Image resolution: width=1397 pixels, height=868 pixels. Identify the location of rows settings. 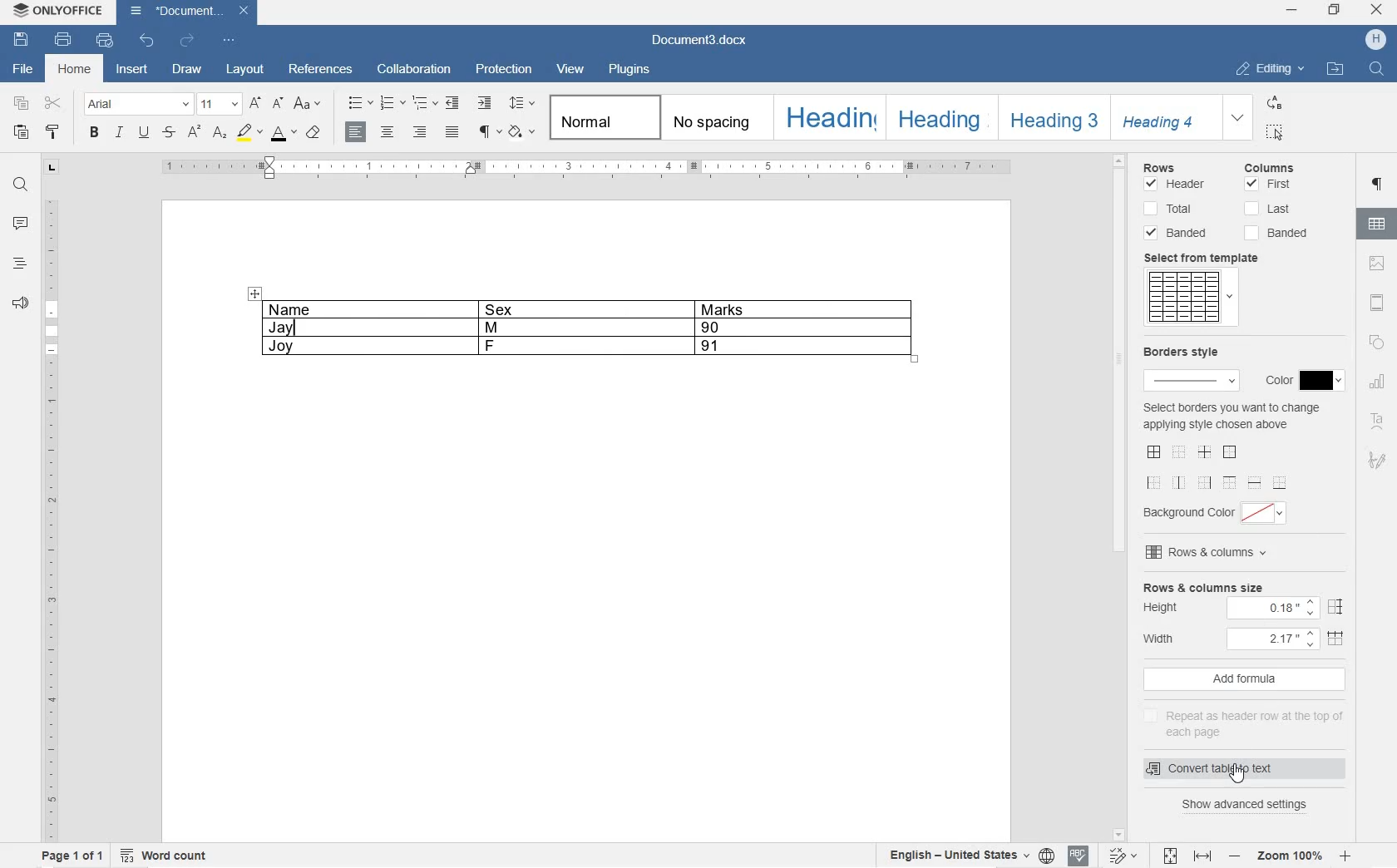
(1181, 165).